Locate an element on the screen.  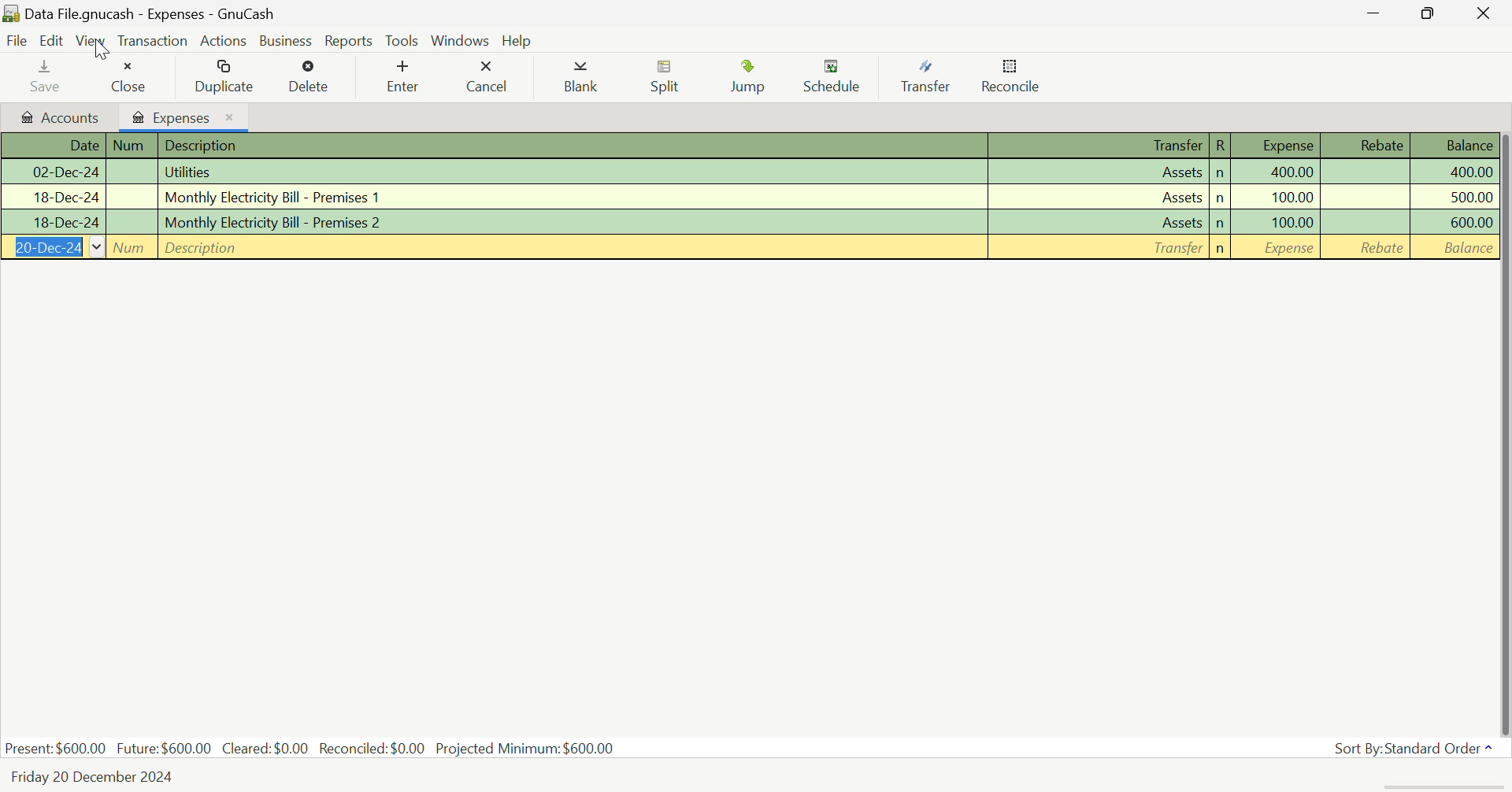
Blank is located at coordinates (581, 79).